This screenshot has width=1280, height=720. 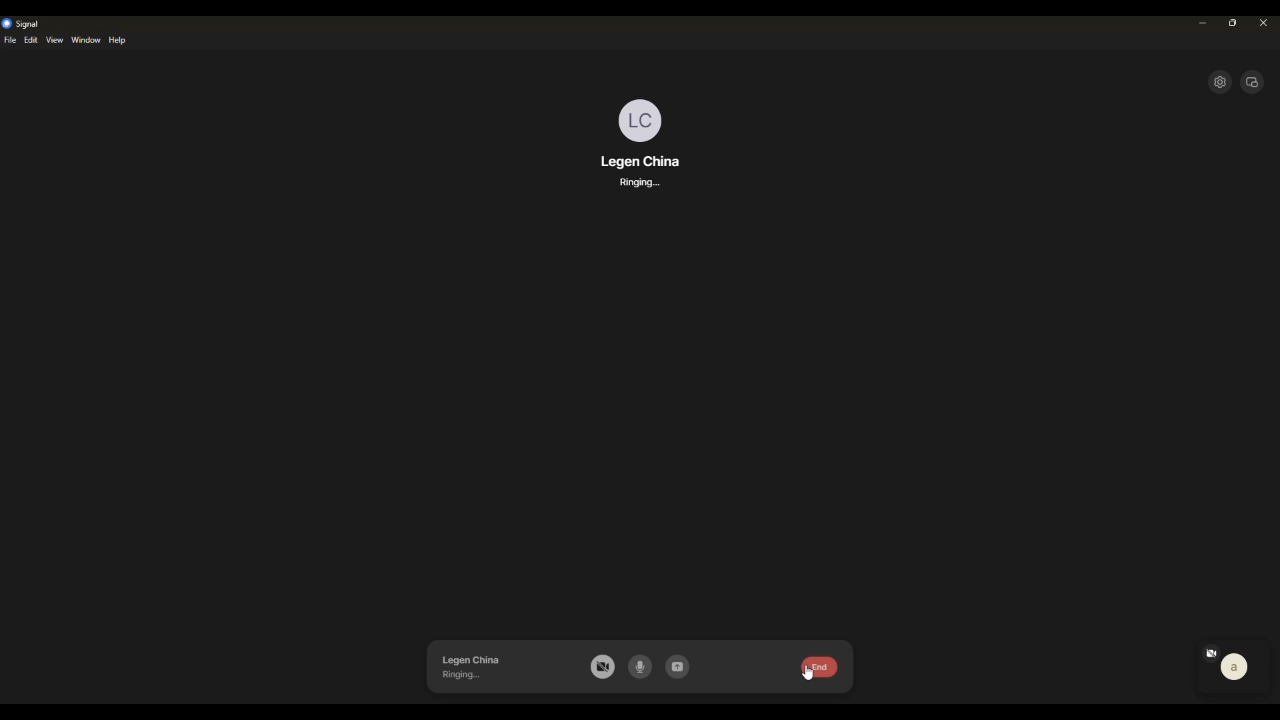 I want to click on profile photo, so click(x=644, y=119).